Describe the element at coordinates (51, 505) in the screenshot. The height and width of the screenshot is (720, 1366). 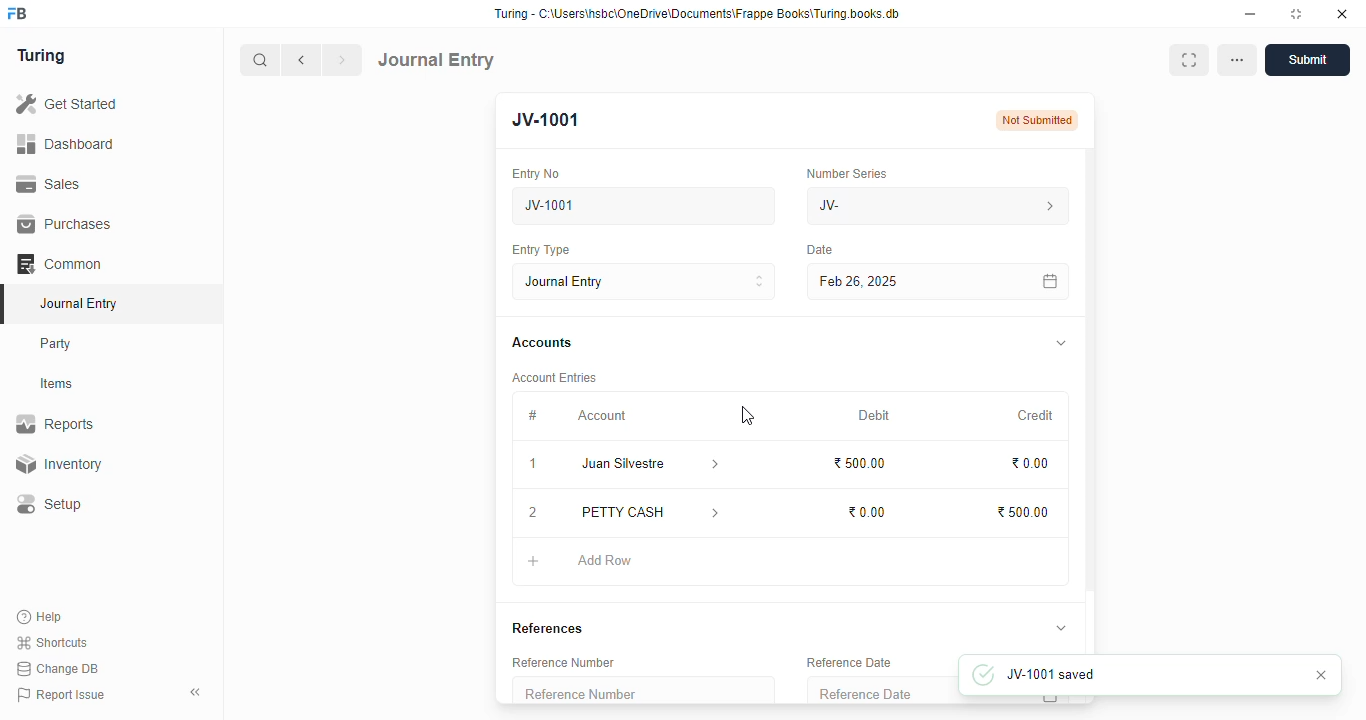
I see `setup` at that location.